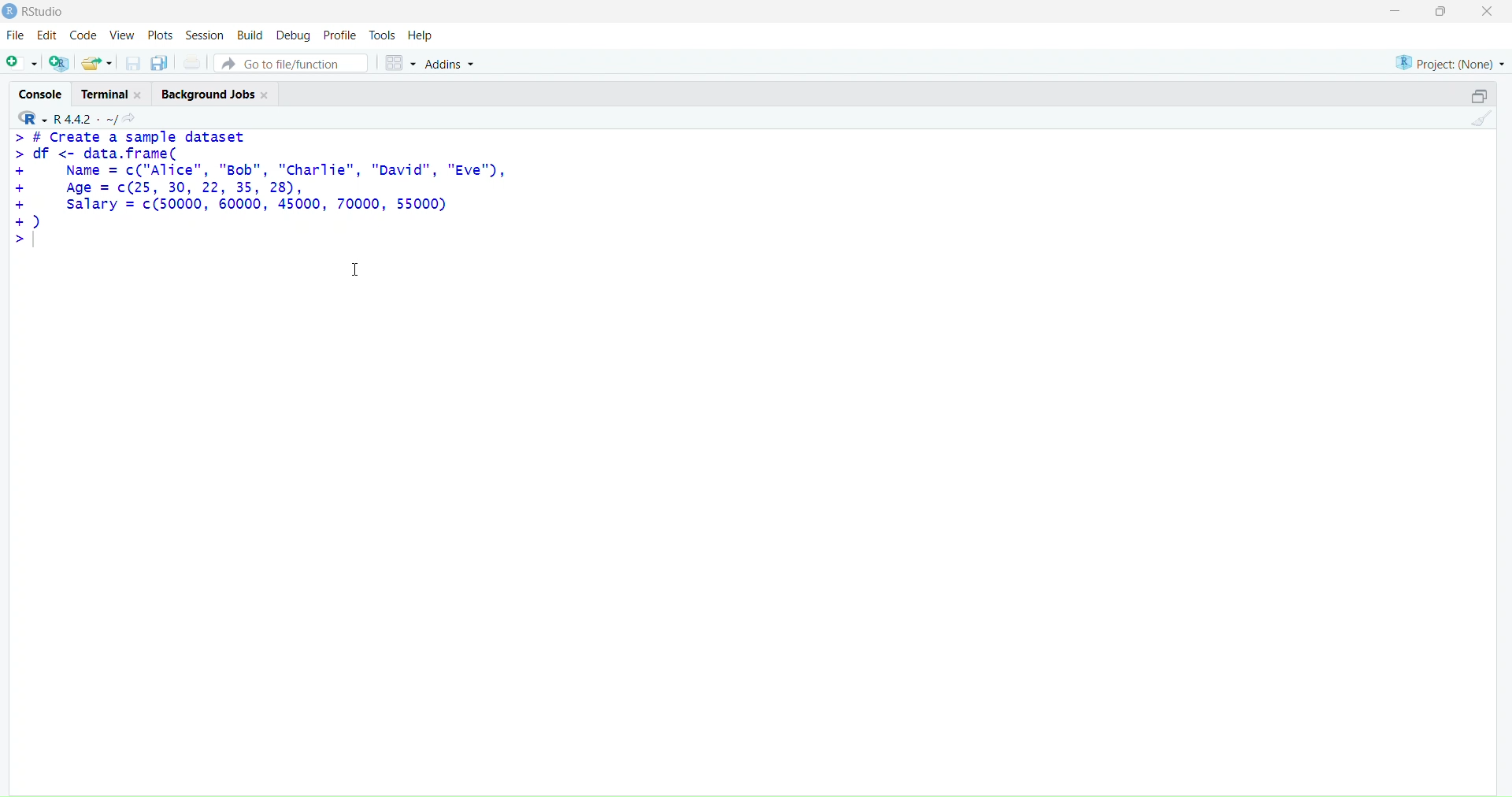 The image size is (1512, 797). What do you see at coordinates (121, 34) in the screenshot?
I see `view` at bounding box center [121, 34].